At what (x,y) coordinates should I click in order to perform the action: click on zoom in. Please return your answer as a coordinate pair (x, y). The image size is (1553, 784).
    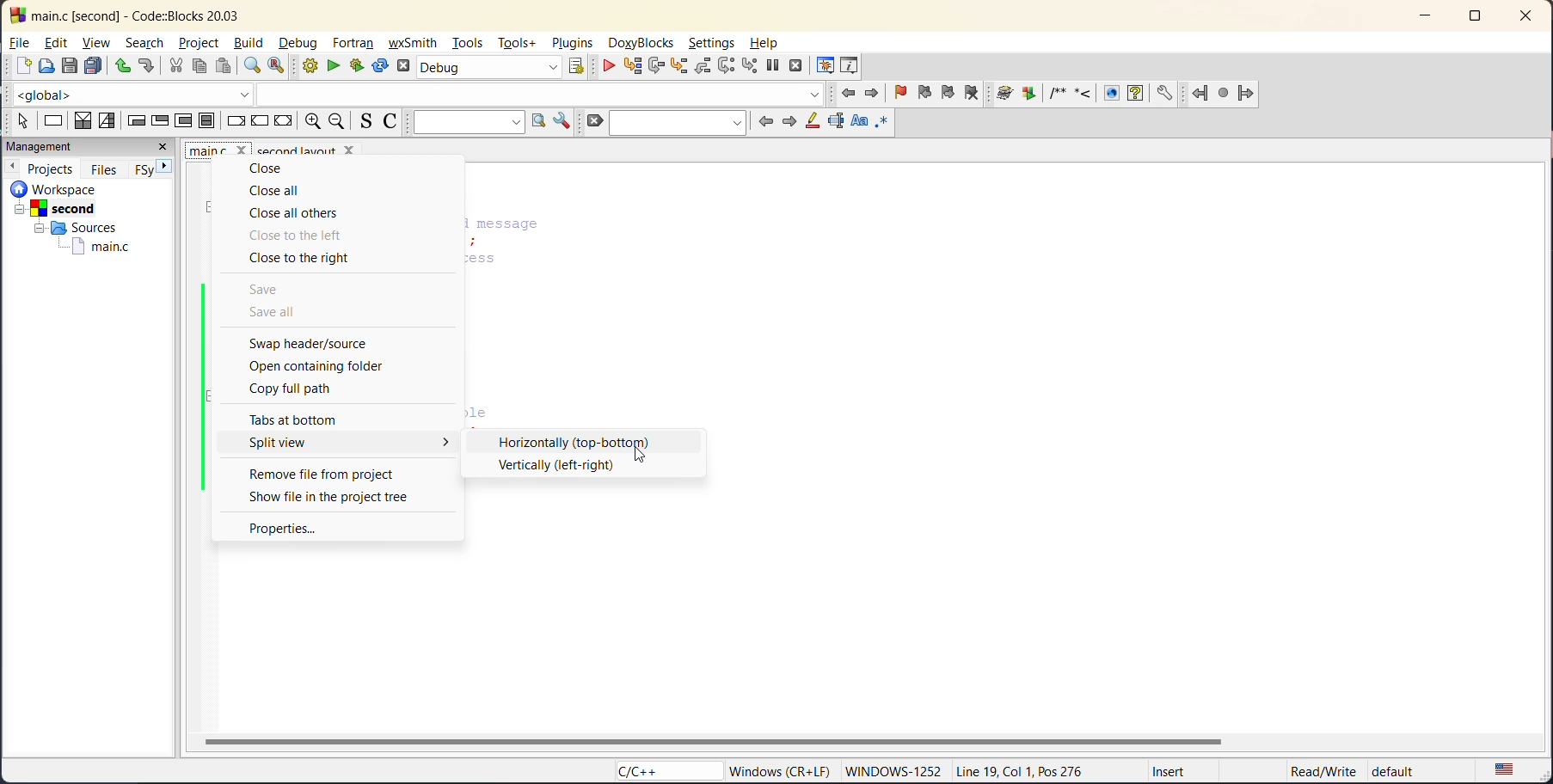
    Looking at the image, I should click on (314, 121).